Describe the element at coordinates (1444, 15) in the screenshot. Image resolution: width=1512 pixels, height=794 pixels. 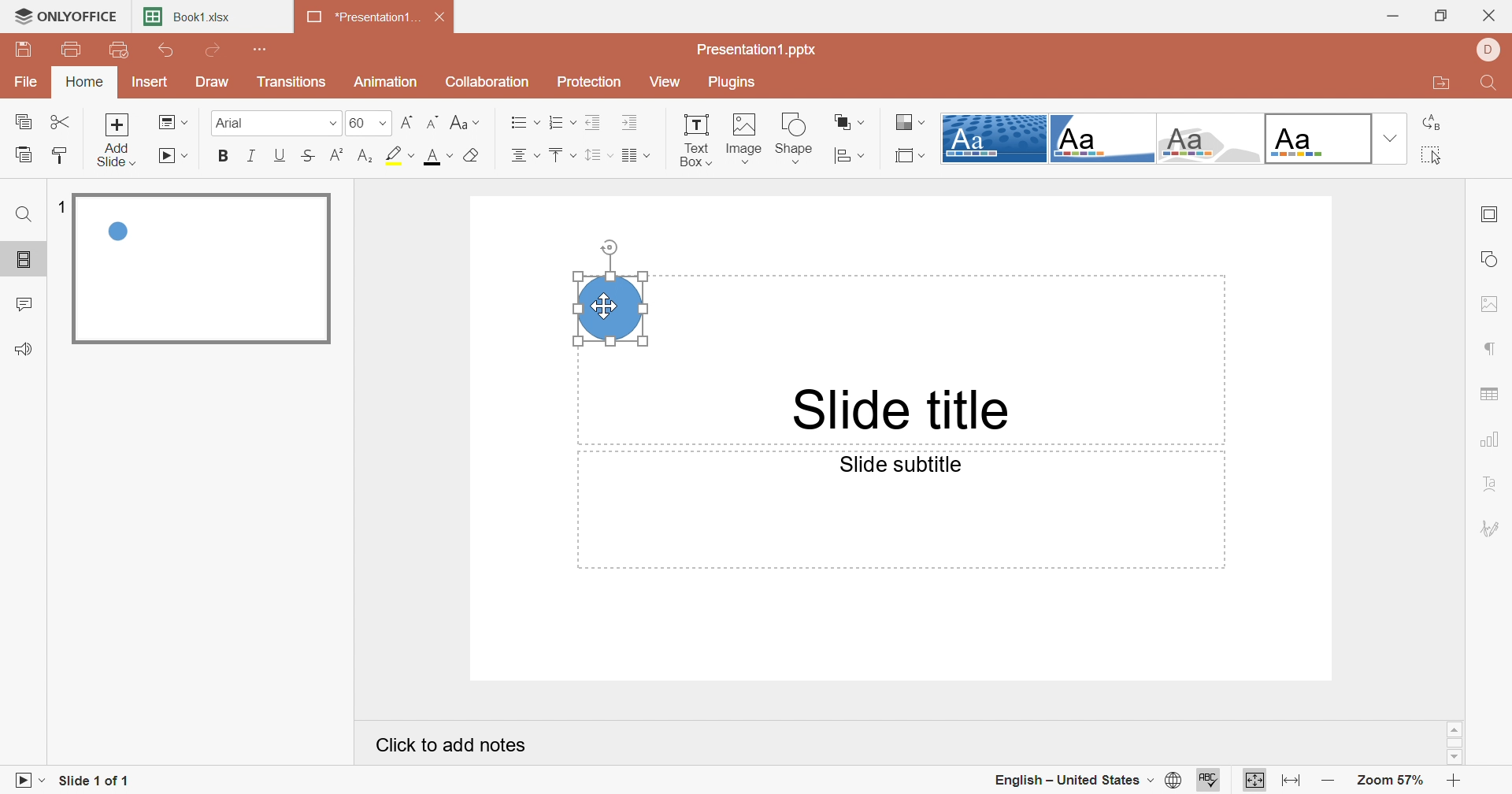
I see `Restore down` at that location.